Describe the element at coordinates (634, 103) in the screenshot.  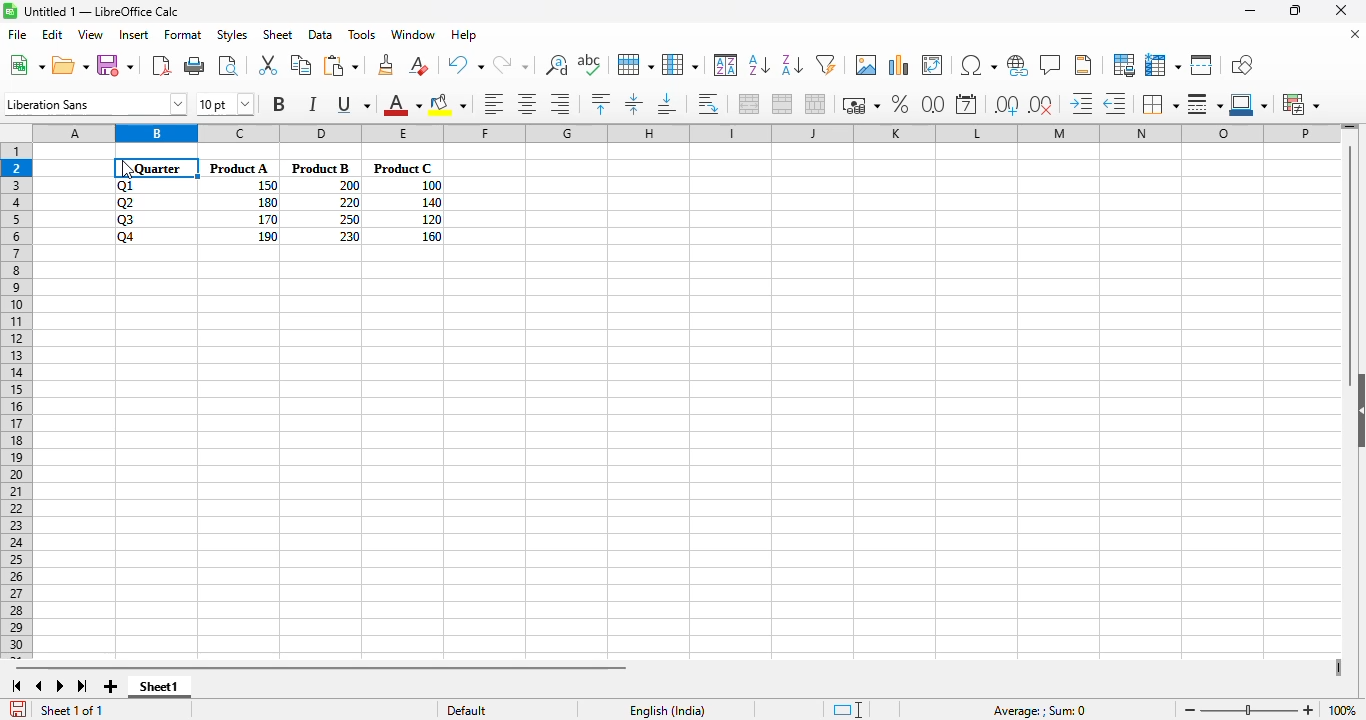
I see `center vertically` at that location.